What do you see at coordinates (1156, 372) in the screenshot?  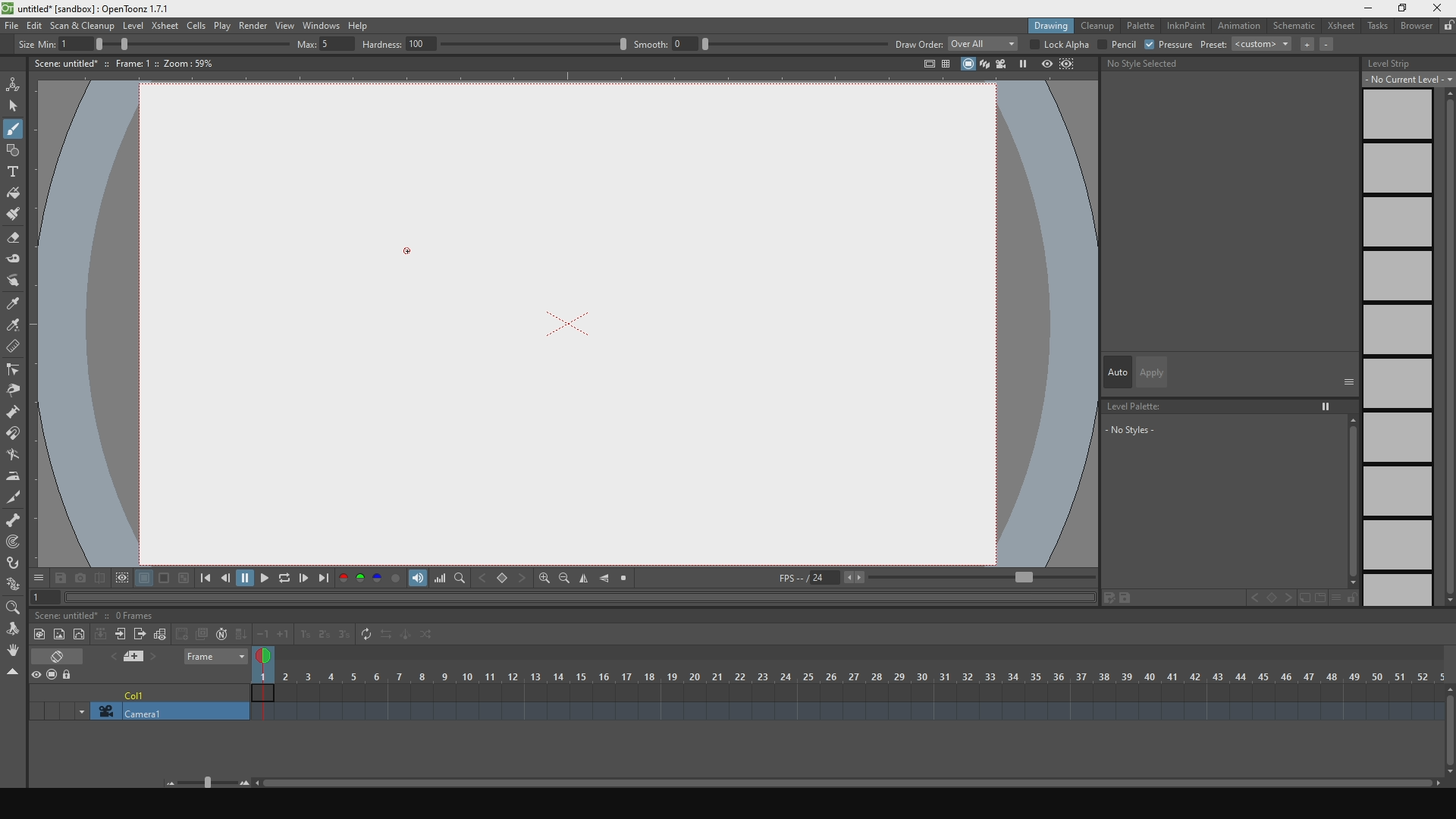 I see `apply` at bounding box center [1156, 372].